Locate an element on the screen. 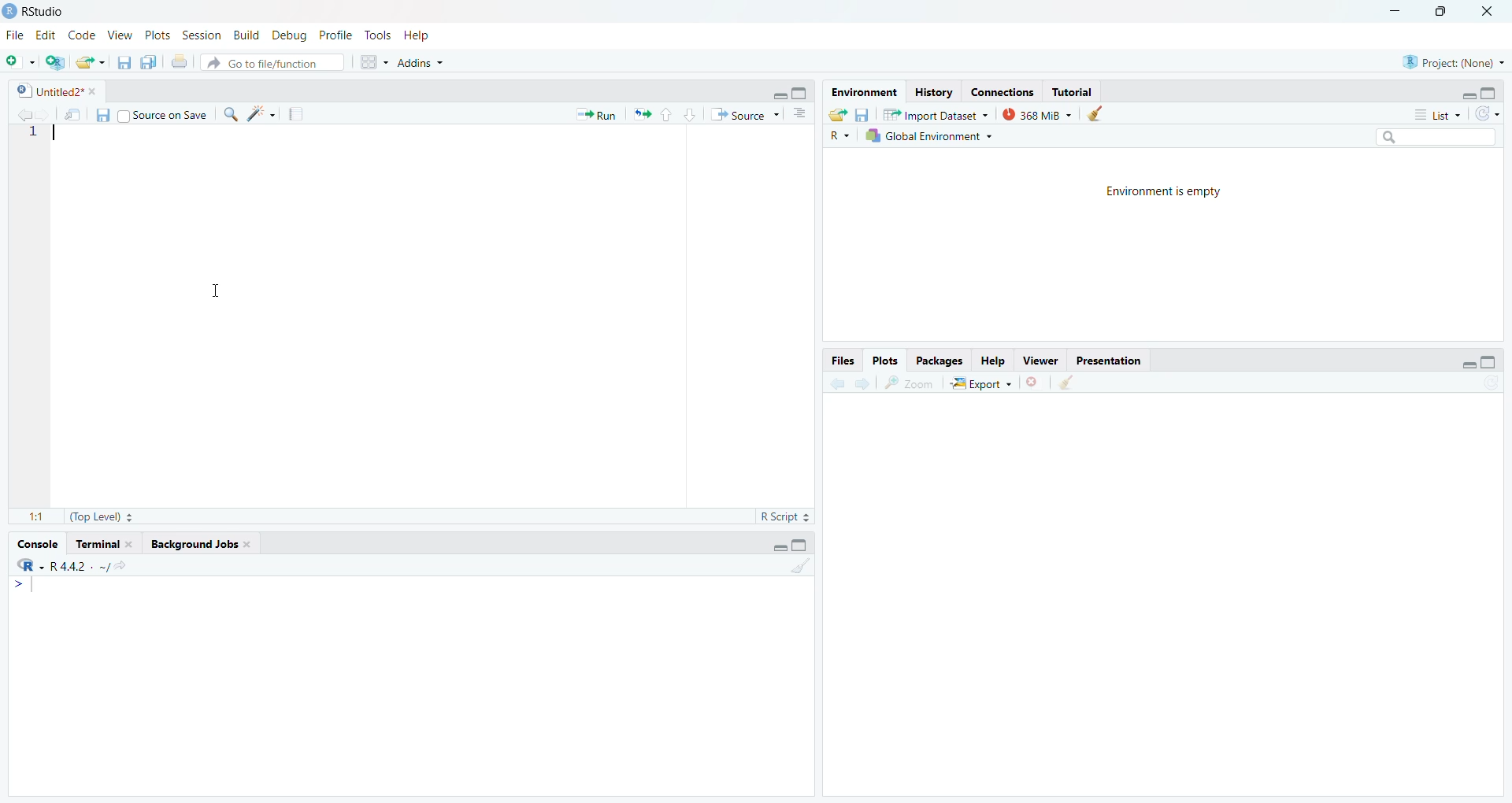 The width and height of the screenshot is (1512, 803). 1g Profile is located at coordinates (335, 36).